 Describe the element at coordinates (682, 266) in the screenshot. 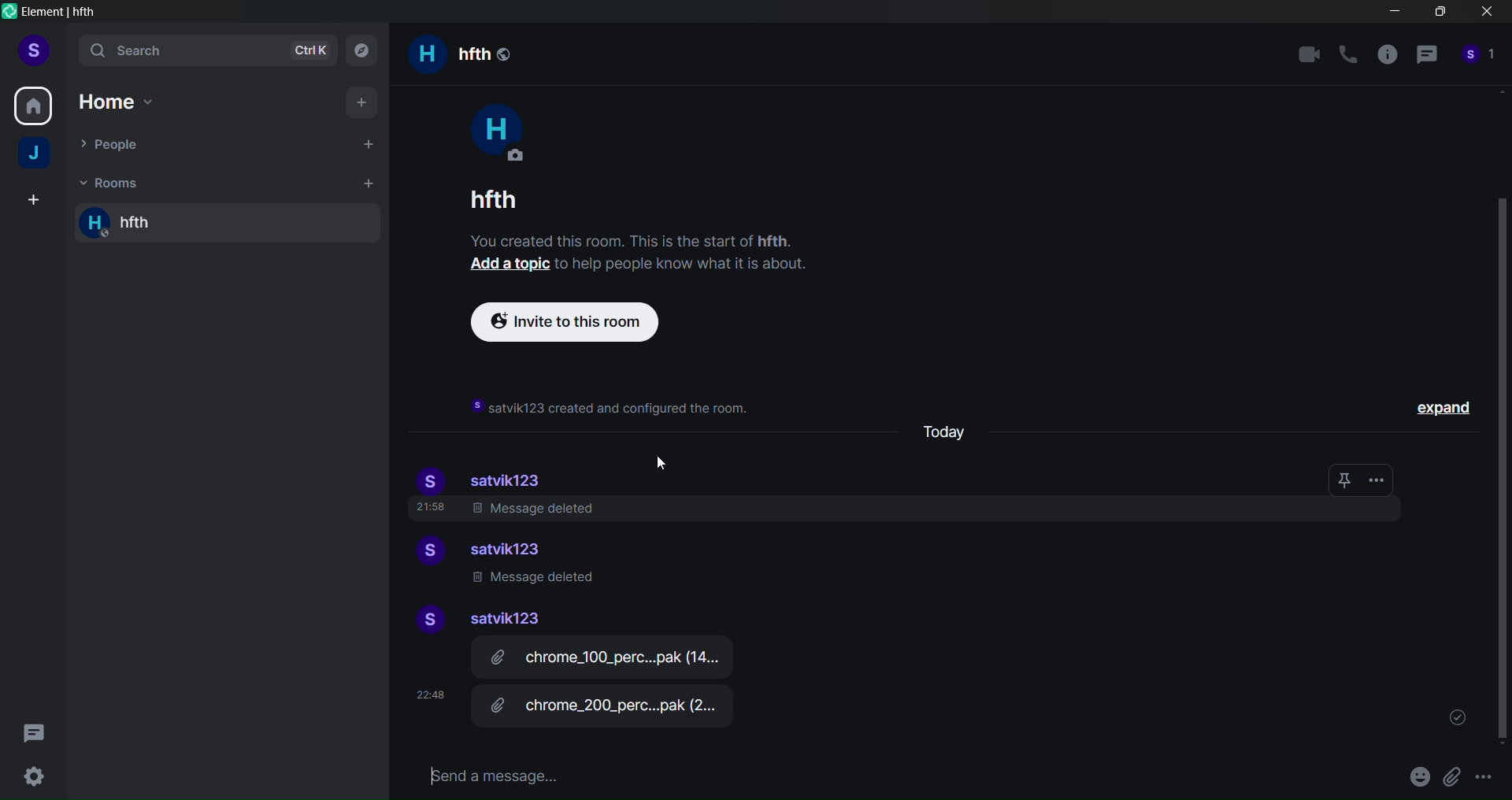

I see `to help people know what it is about.` at that location.